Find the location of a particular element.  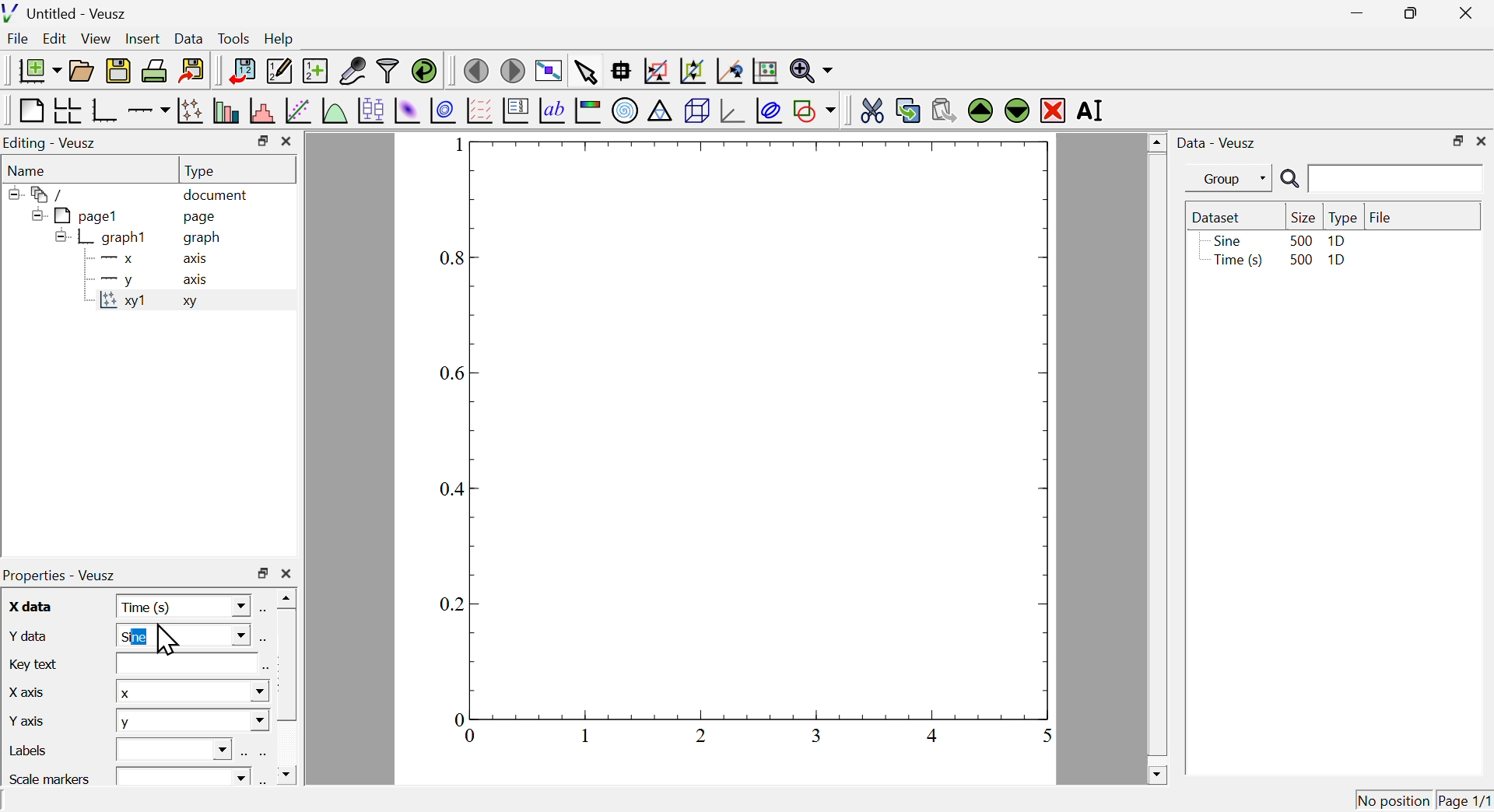

create new data sets using ranges is located at coordinates (315, 69).